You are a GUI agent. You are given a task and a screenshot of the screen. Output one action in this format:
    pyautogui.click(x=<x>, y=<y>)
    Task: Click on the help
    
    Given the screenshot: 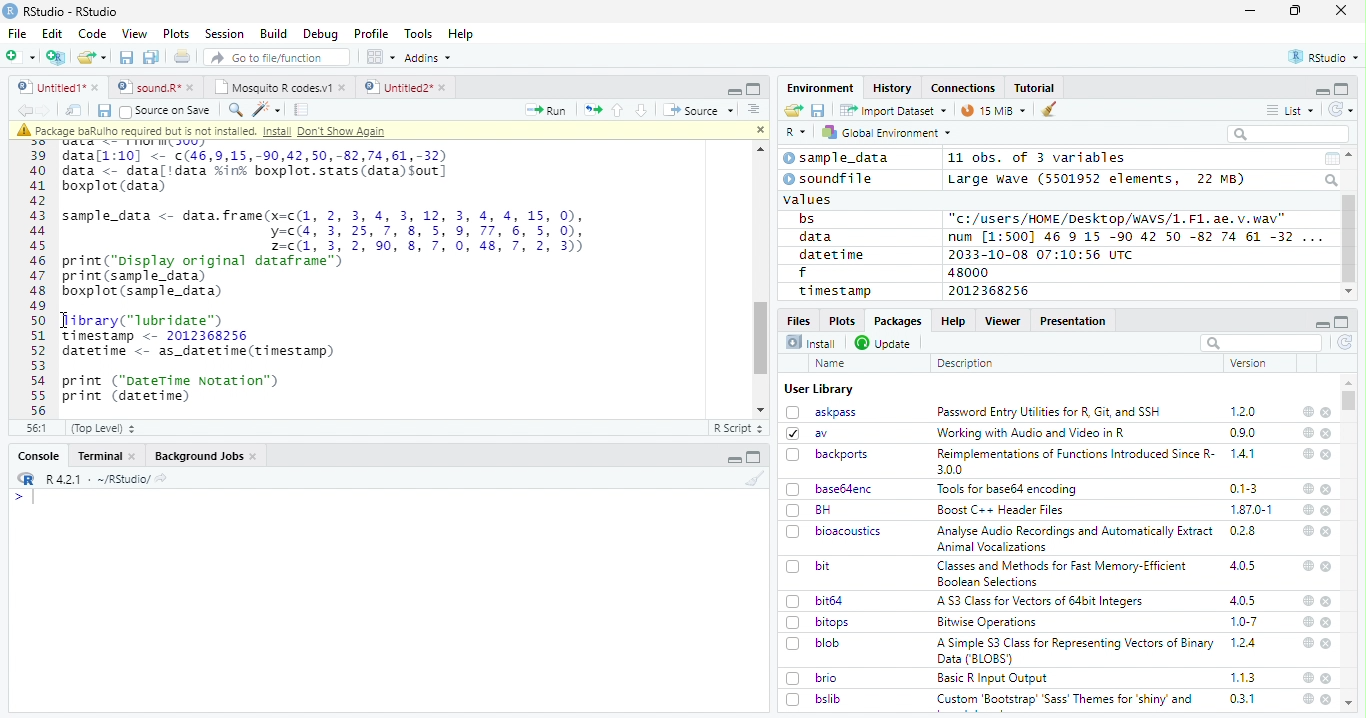 What is the action you would take?
    pyautogui.click(x=1308, y=489)
    